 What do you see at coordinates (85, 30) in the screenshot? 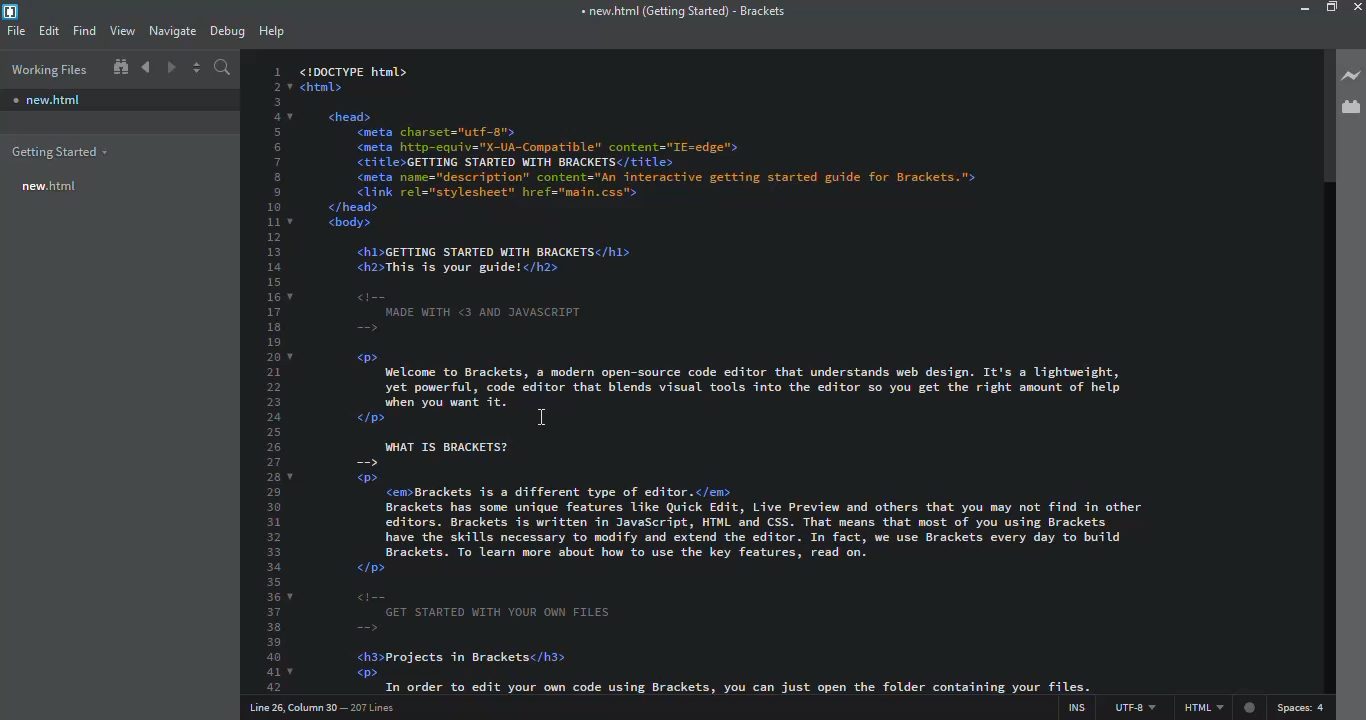
I see `find` at bounding box center [85, 30].